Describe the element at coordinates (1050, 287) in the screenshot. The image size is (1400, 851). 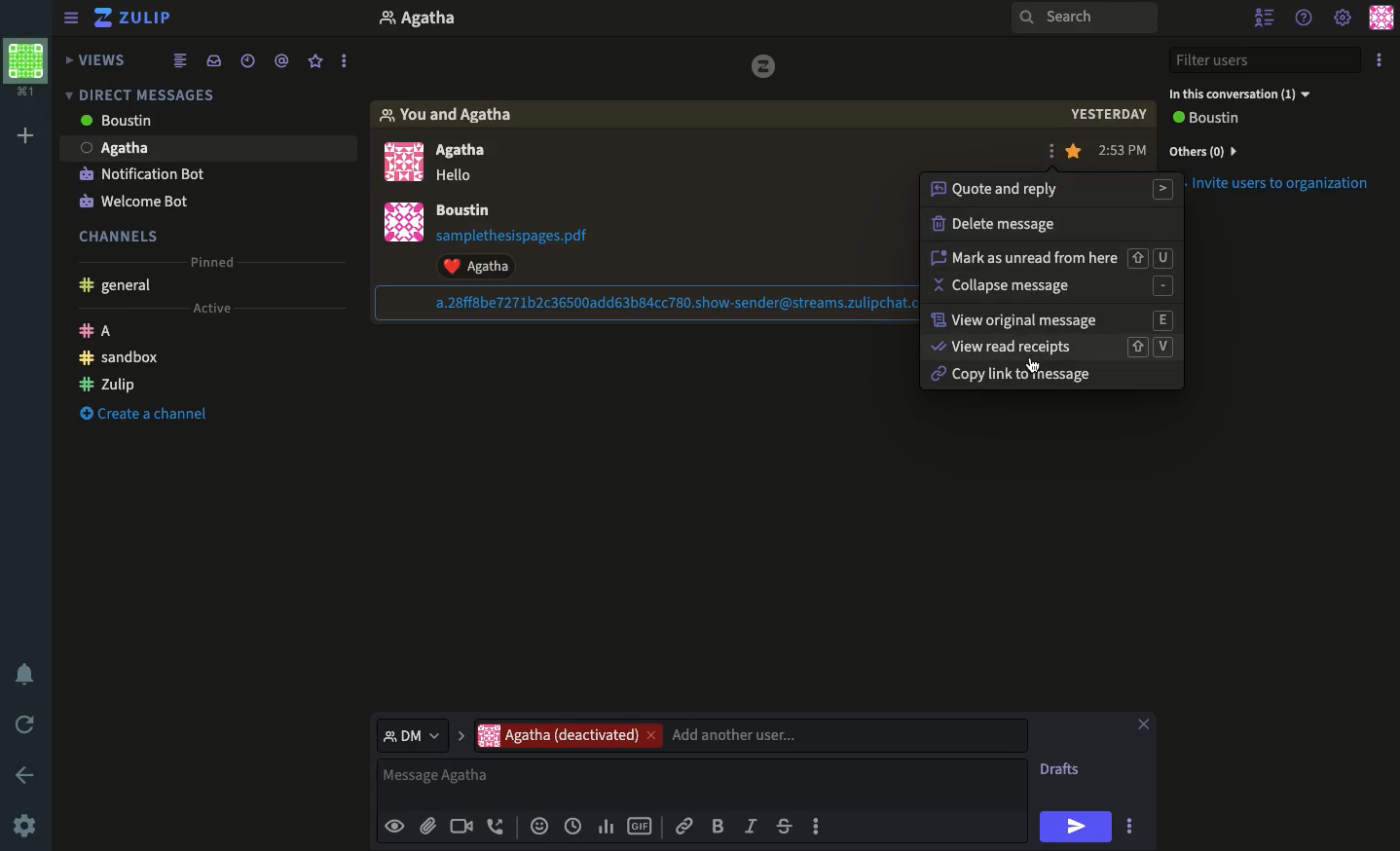
I see `Collapse message` at that location.